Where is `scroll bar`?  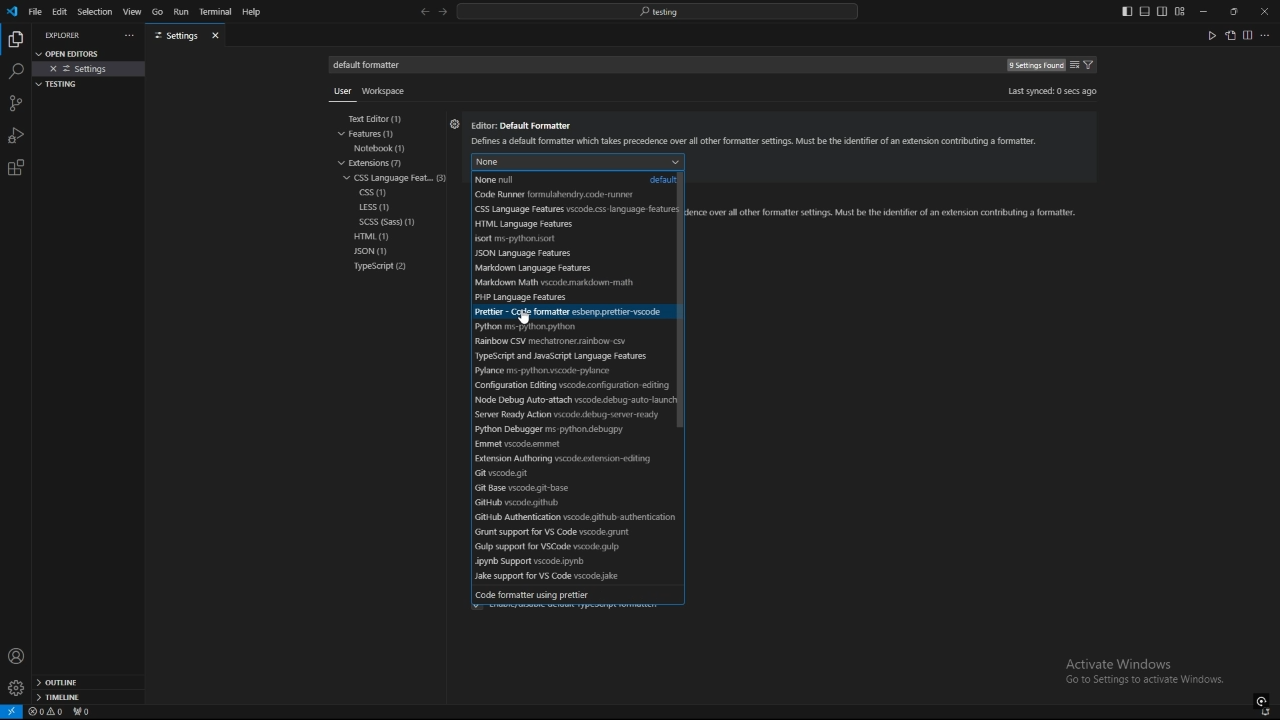
scroll bar is located at coordinates (690, 302).